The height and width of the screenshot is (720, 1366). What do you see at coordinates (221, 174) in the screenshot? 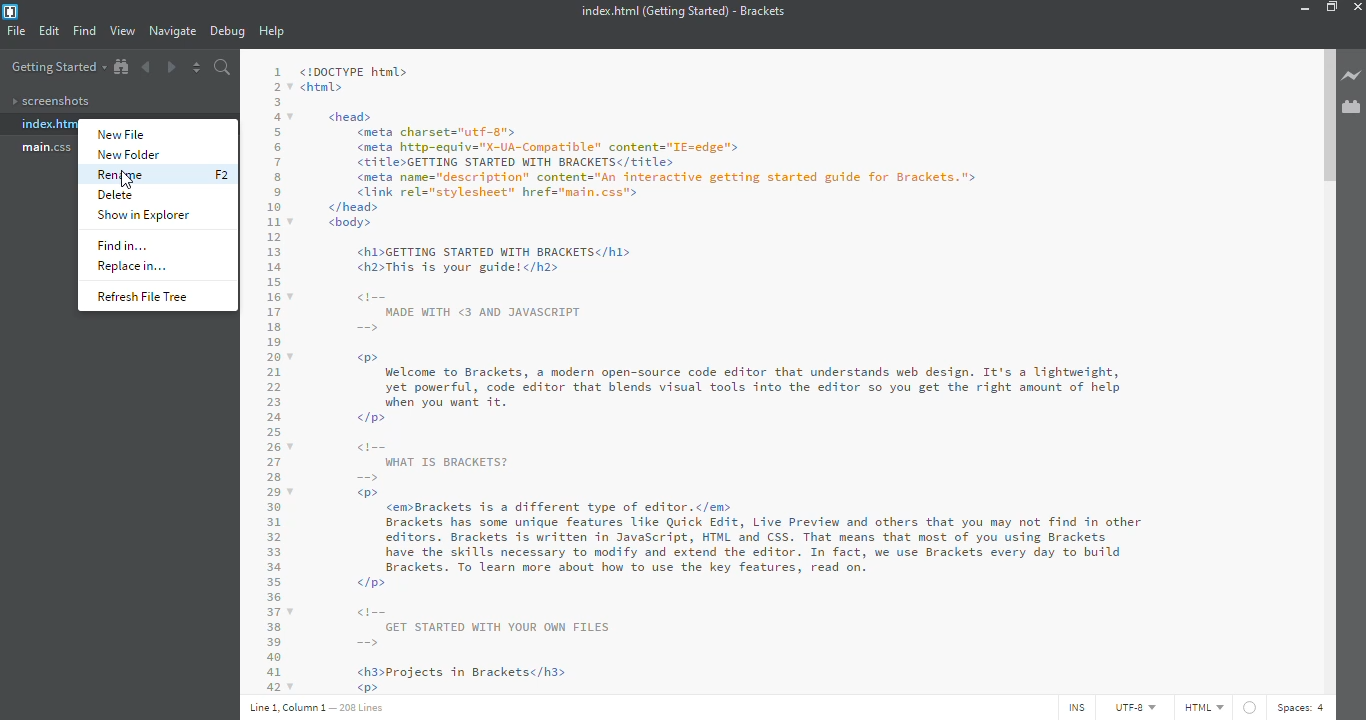
I see `f2` at bounding box center [221, 174].